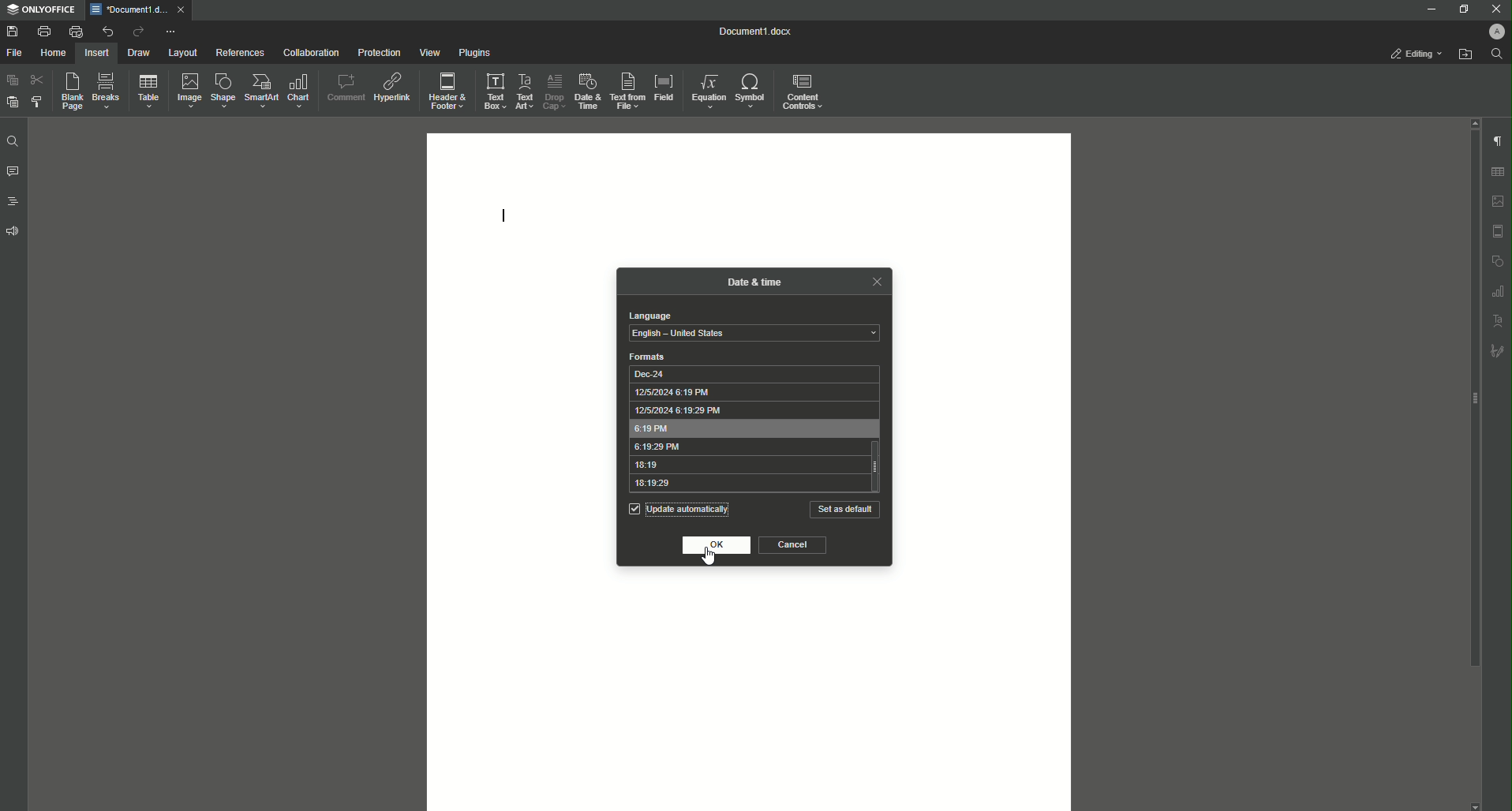 Image resolution: width=1512 pixels, height=811 pixels. I want to click on signature settings, so click(1497, 349).